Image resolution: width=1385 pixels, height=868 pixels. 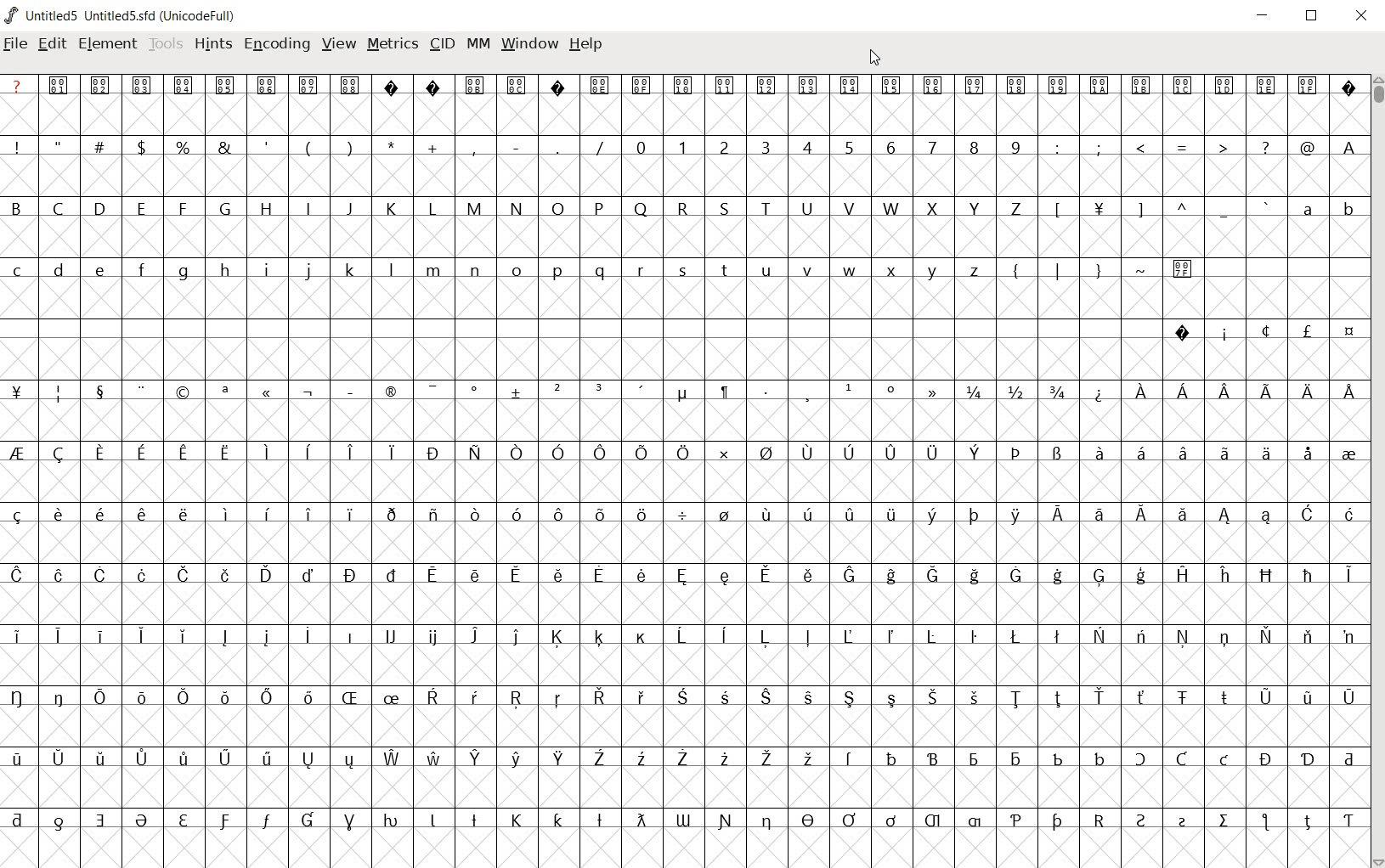 I want to click on Symbol, so click(x=59, y=757).